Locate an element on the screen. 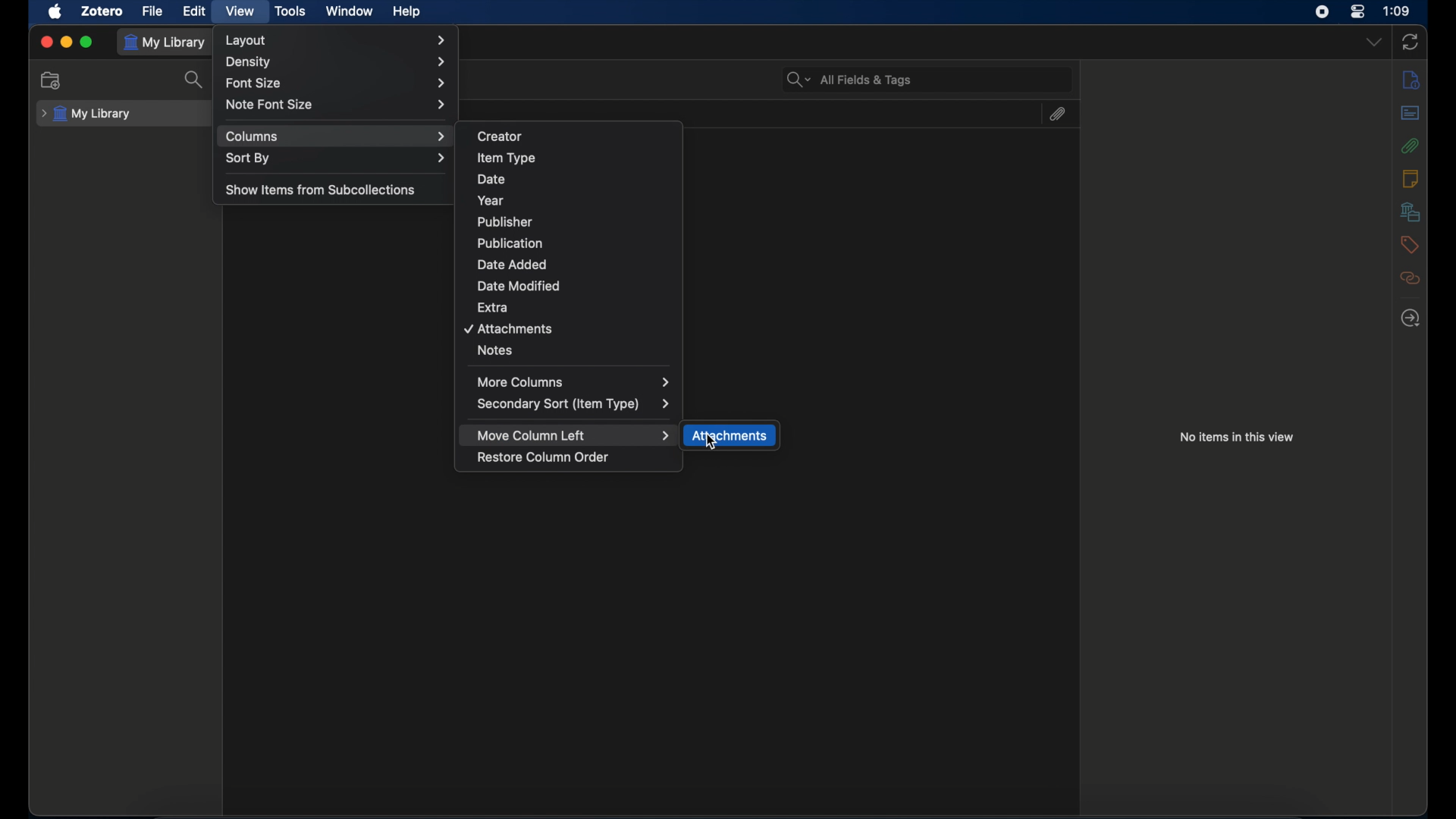  info is located at coordinates (1412, 80).